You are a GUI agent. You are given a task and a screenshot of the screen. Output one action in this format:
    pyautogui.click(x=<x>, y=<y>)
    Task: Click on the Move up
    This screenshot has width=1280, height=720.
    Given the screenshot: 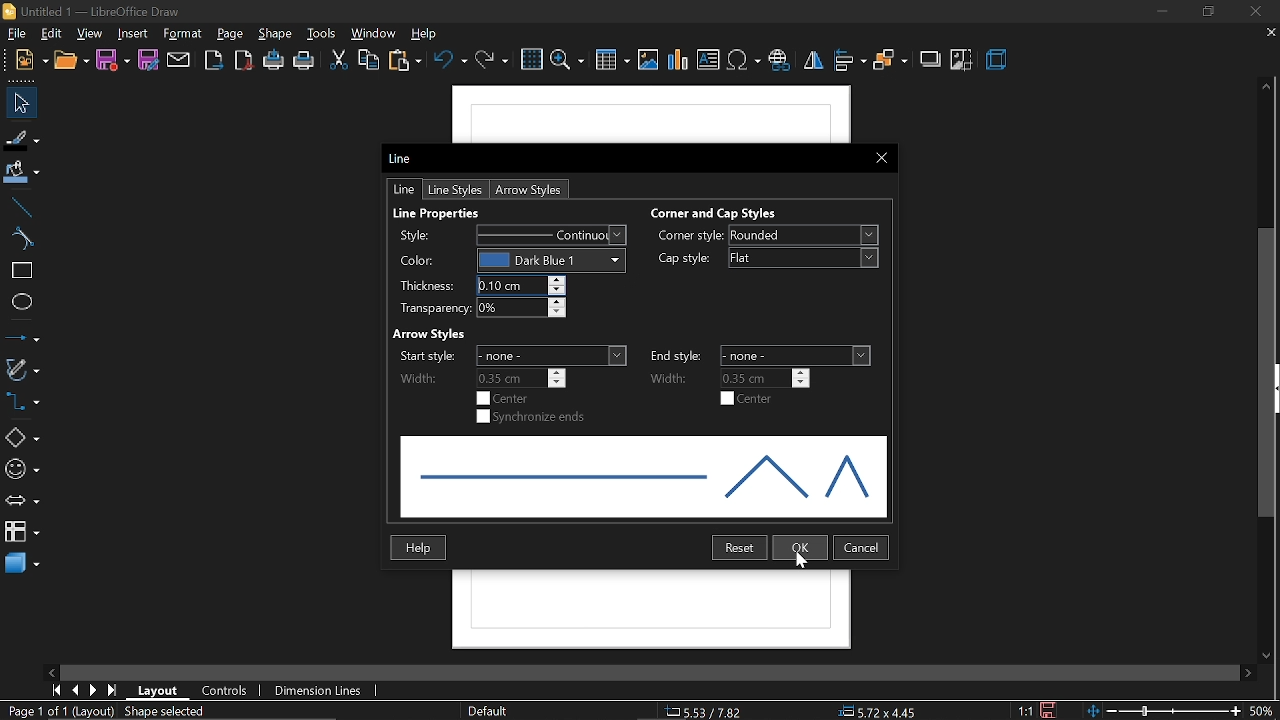 What is the action you would take?
    pyautogui.click(x=1267, y=85)
    